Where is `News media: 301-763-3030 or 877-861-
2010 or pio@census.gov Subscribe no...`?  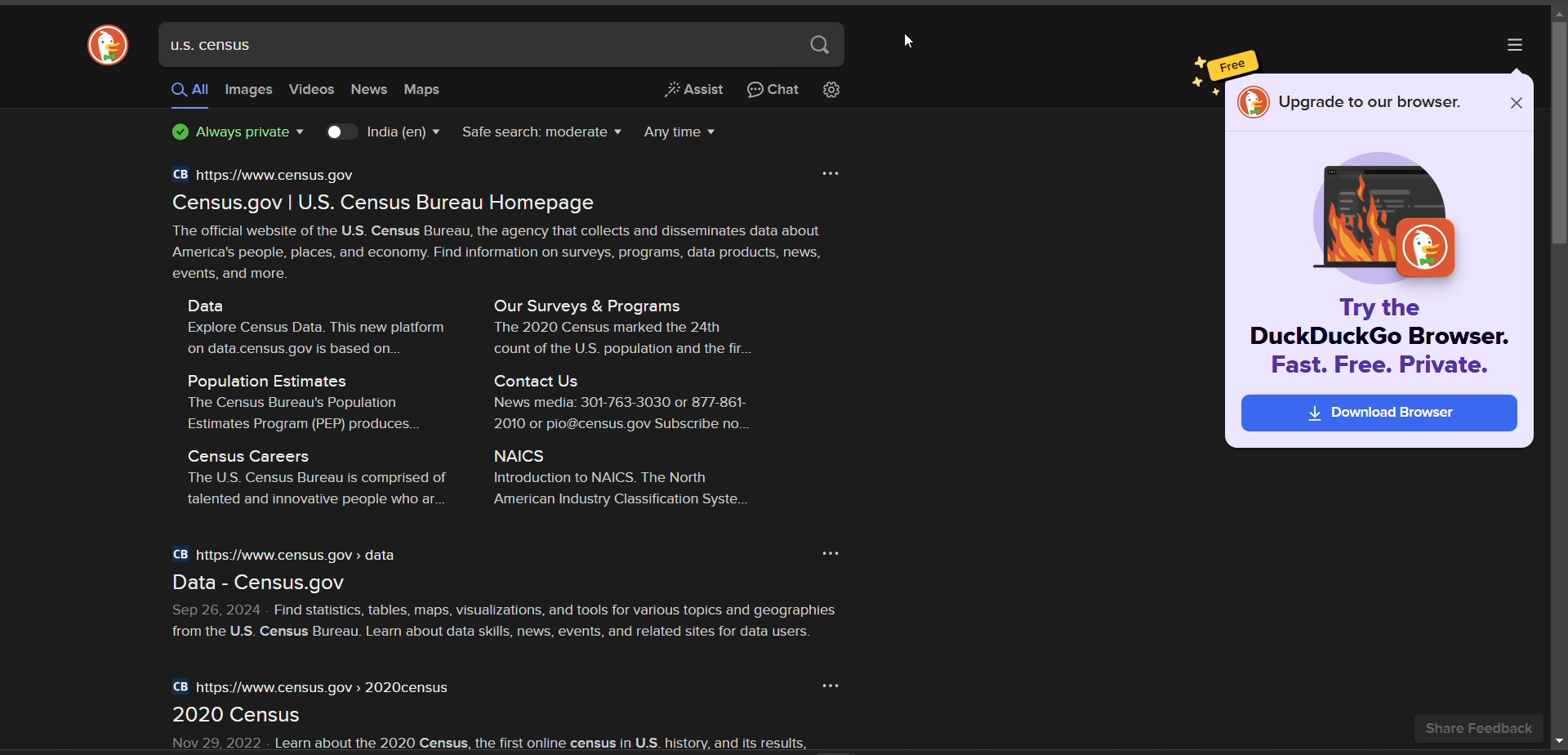
News media: 301-763-3030 or 877-861-
2010 or pio@census.gov Subscribe no... is located at coordinates (614, 414).